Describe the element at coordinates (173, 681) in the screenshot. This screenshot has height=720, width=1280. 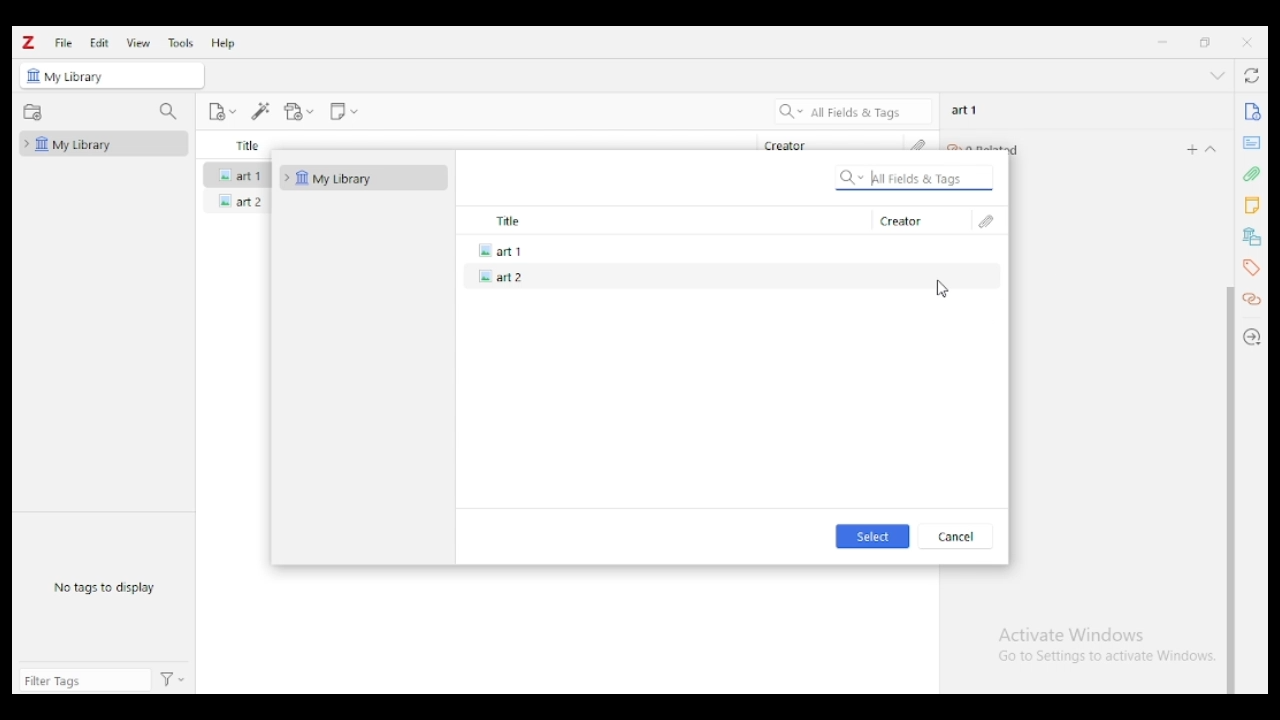
I see `actions` at that location.